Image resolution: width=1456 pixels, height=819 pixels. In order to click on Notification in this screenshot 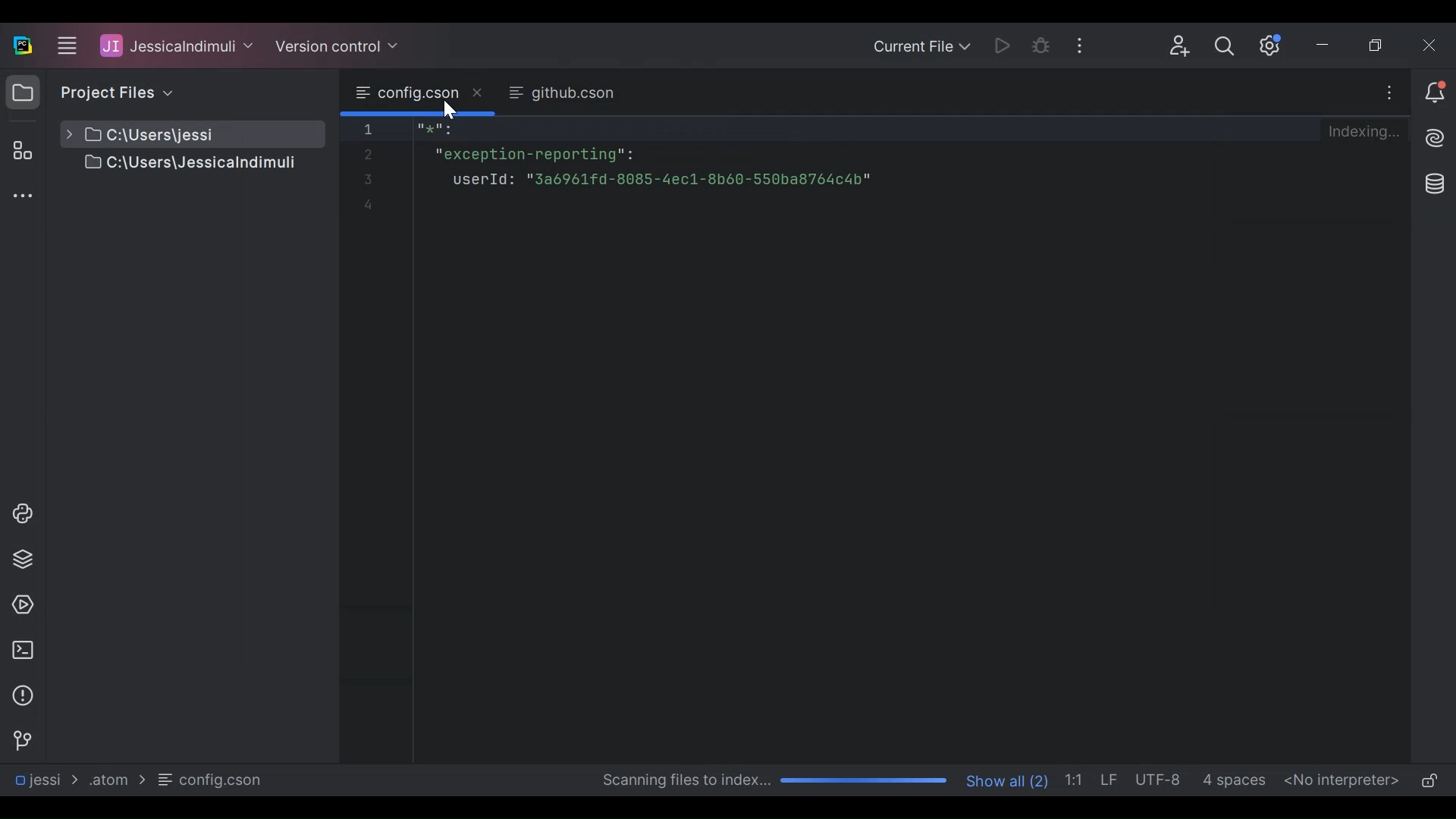, I will do `click(1433, 91)`.